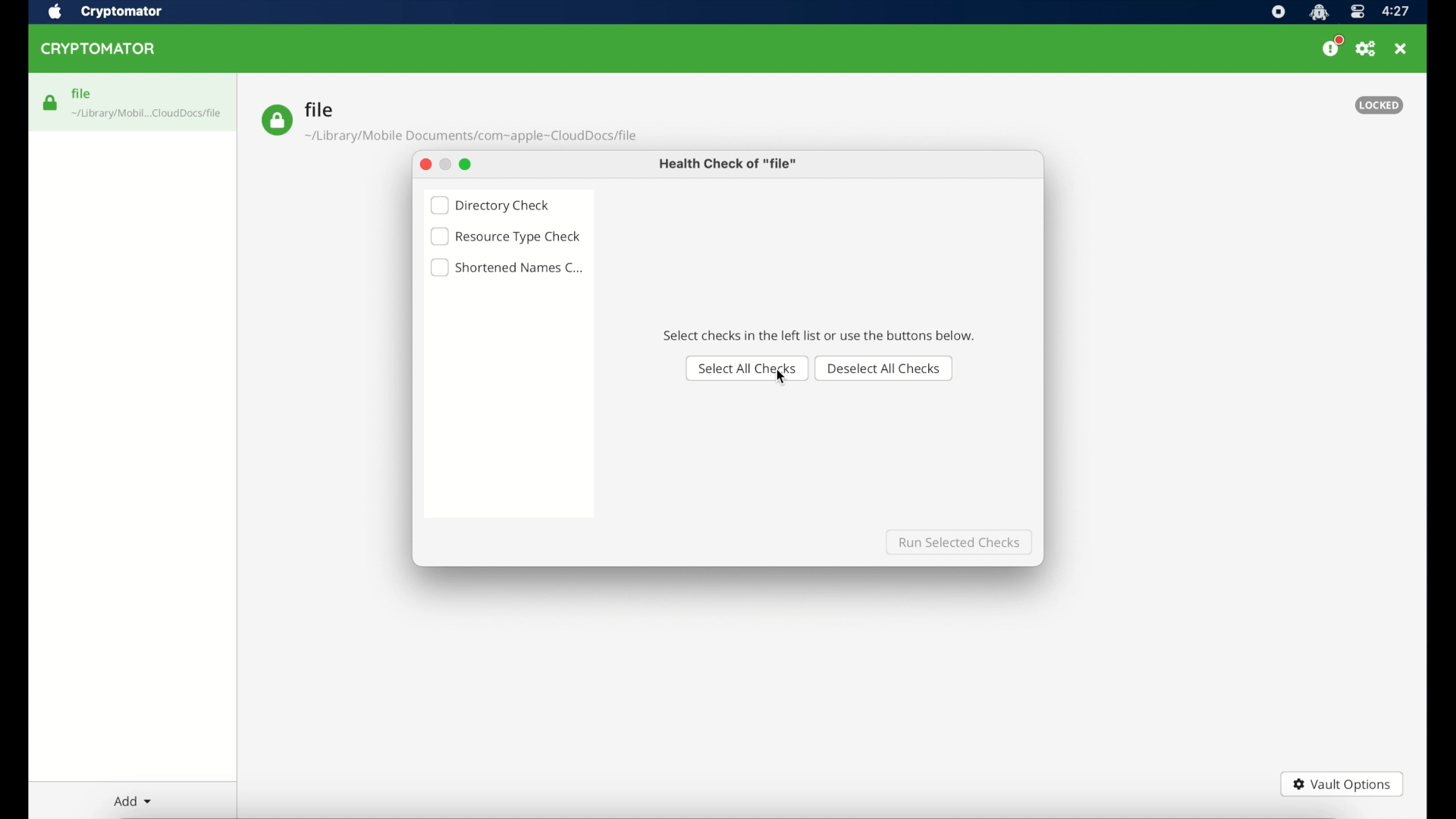 The height and width of the screenshot is (819, 1456). Describe the element at coordinates (1367, 49) in the screenshot. I see `preferences` at that location.